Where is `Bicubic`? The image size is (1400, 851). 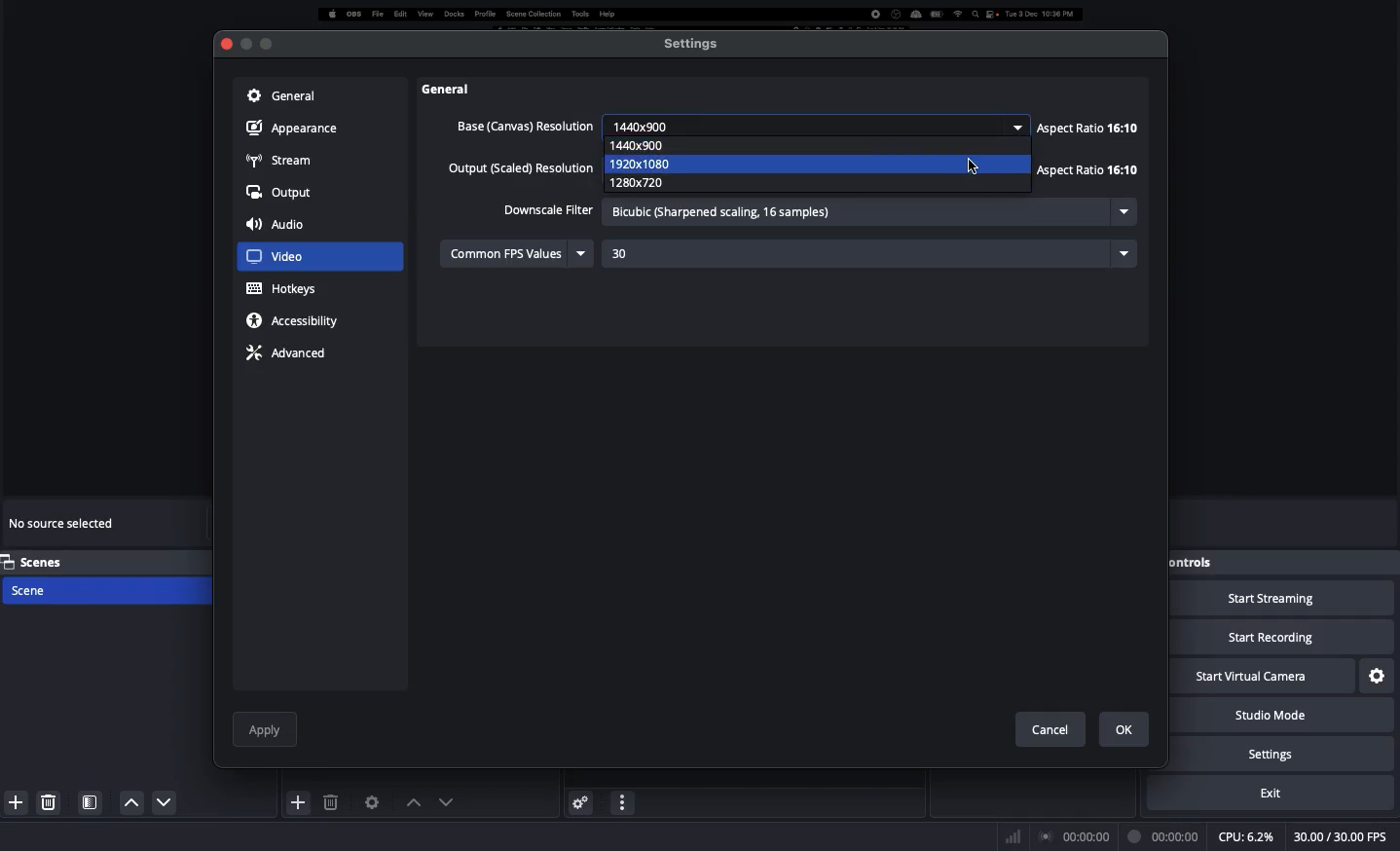
Bicubic is located at coordinates (868, 212).